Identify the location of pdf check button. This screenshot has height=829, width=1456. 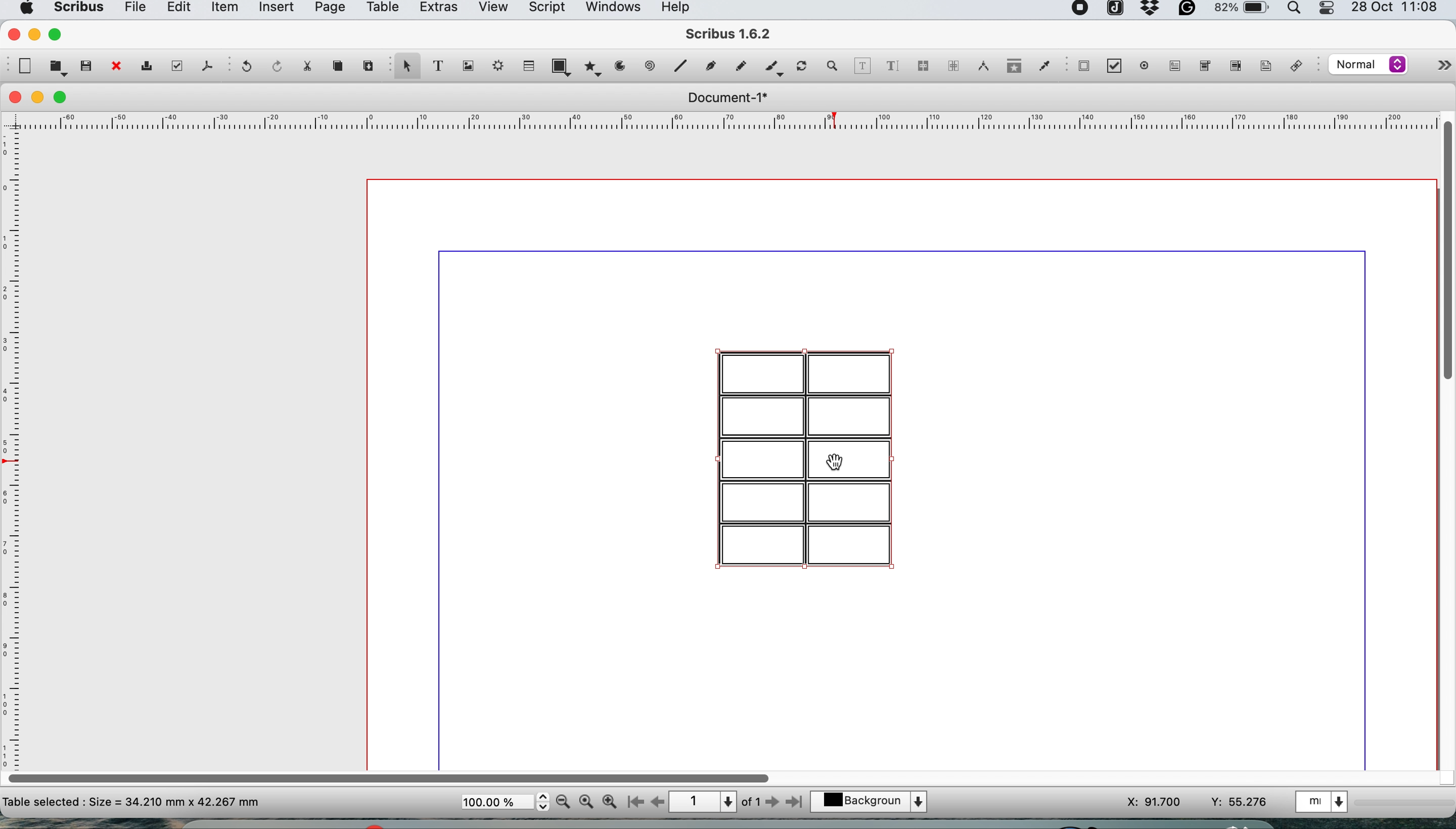
(1118, 67).